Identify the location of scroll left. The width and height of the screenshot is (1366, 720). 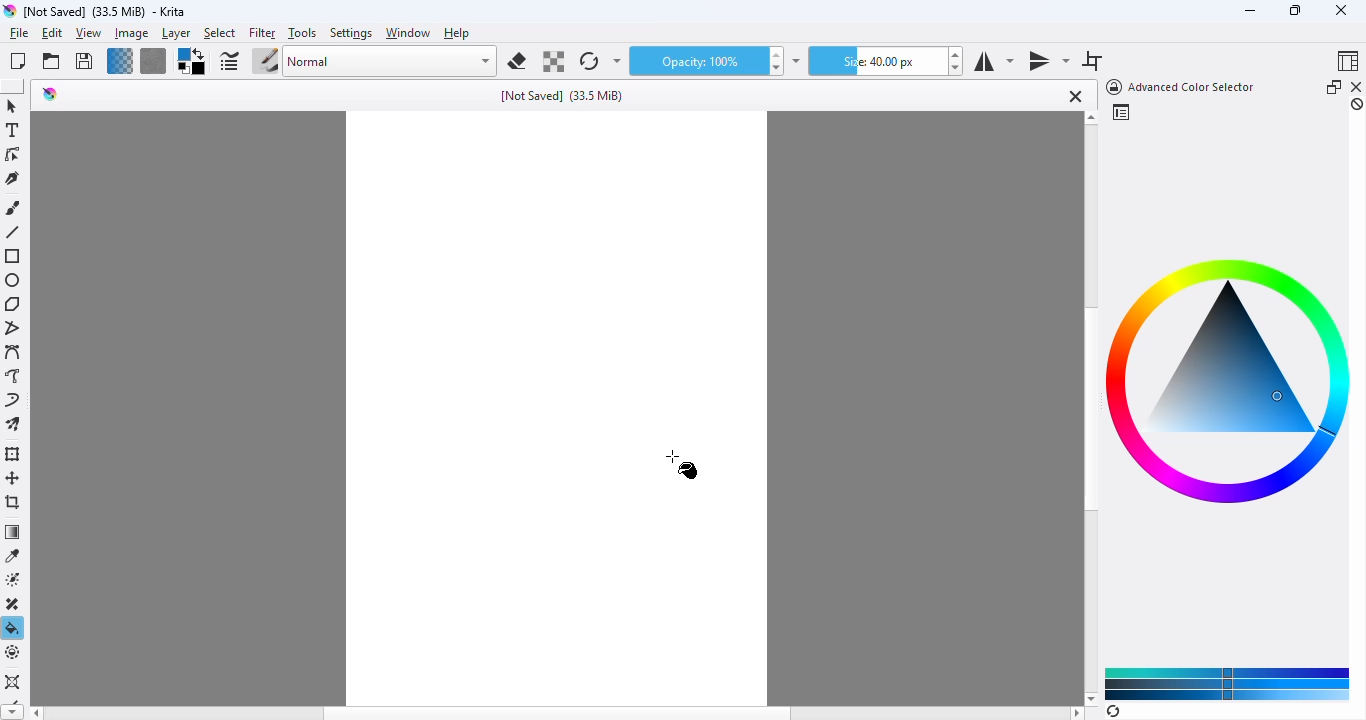
(35, 713).